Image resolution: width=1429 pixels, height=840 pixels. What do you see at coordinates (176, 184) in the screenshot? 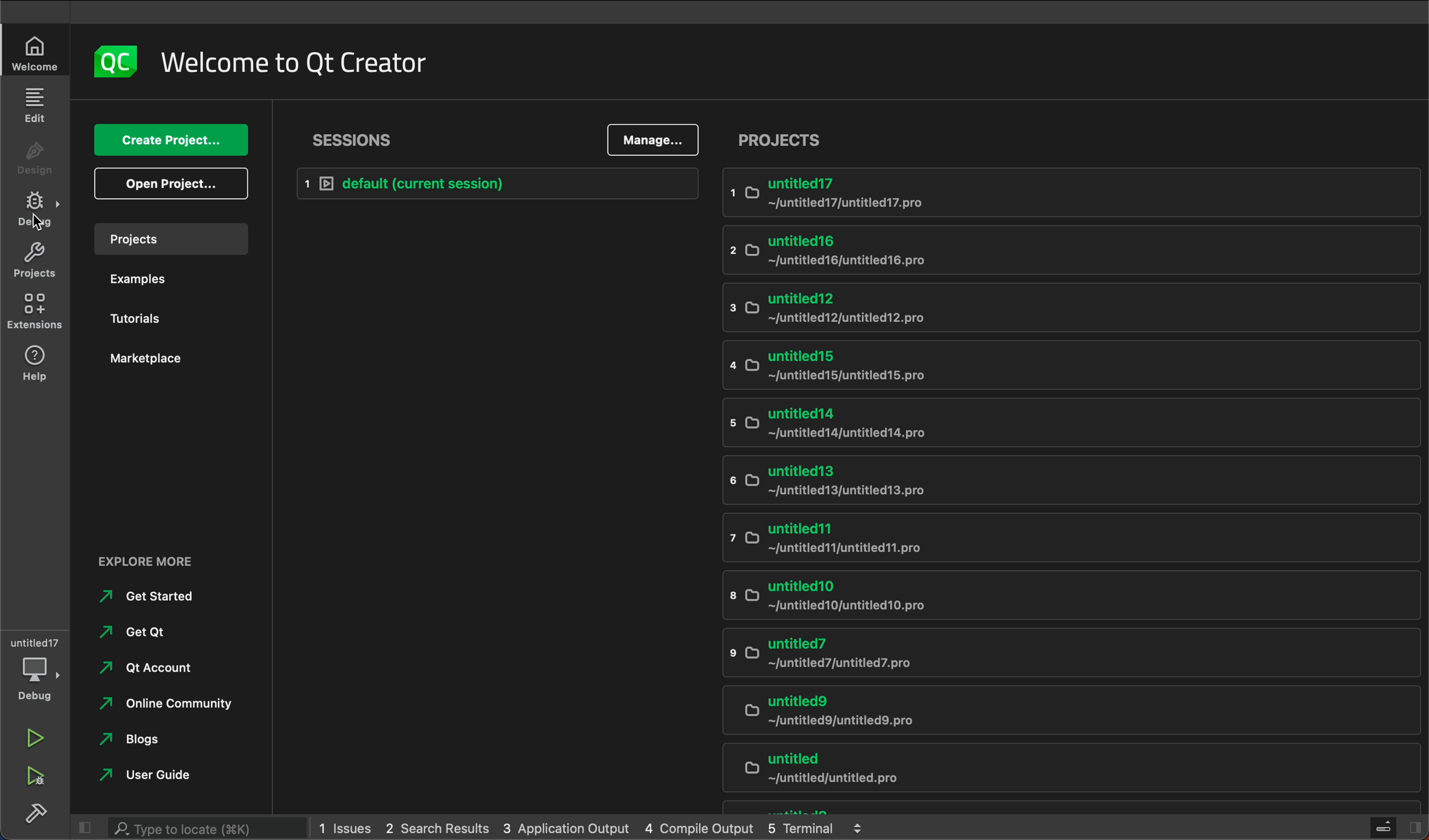
I see `open` at bounding box center [176, 184].